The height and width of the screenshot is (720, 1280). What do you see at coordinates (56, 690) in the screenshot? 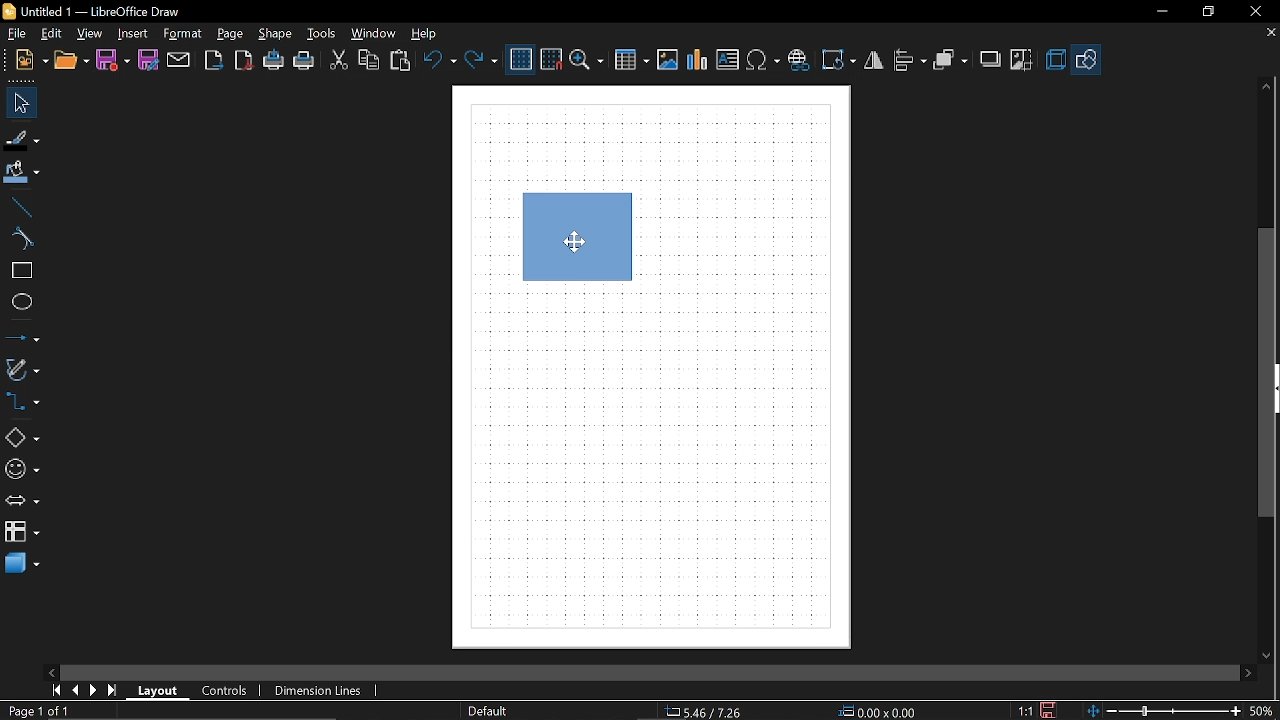
I see `go to first page` at bounding box center [56, 690].